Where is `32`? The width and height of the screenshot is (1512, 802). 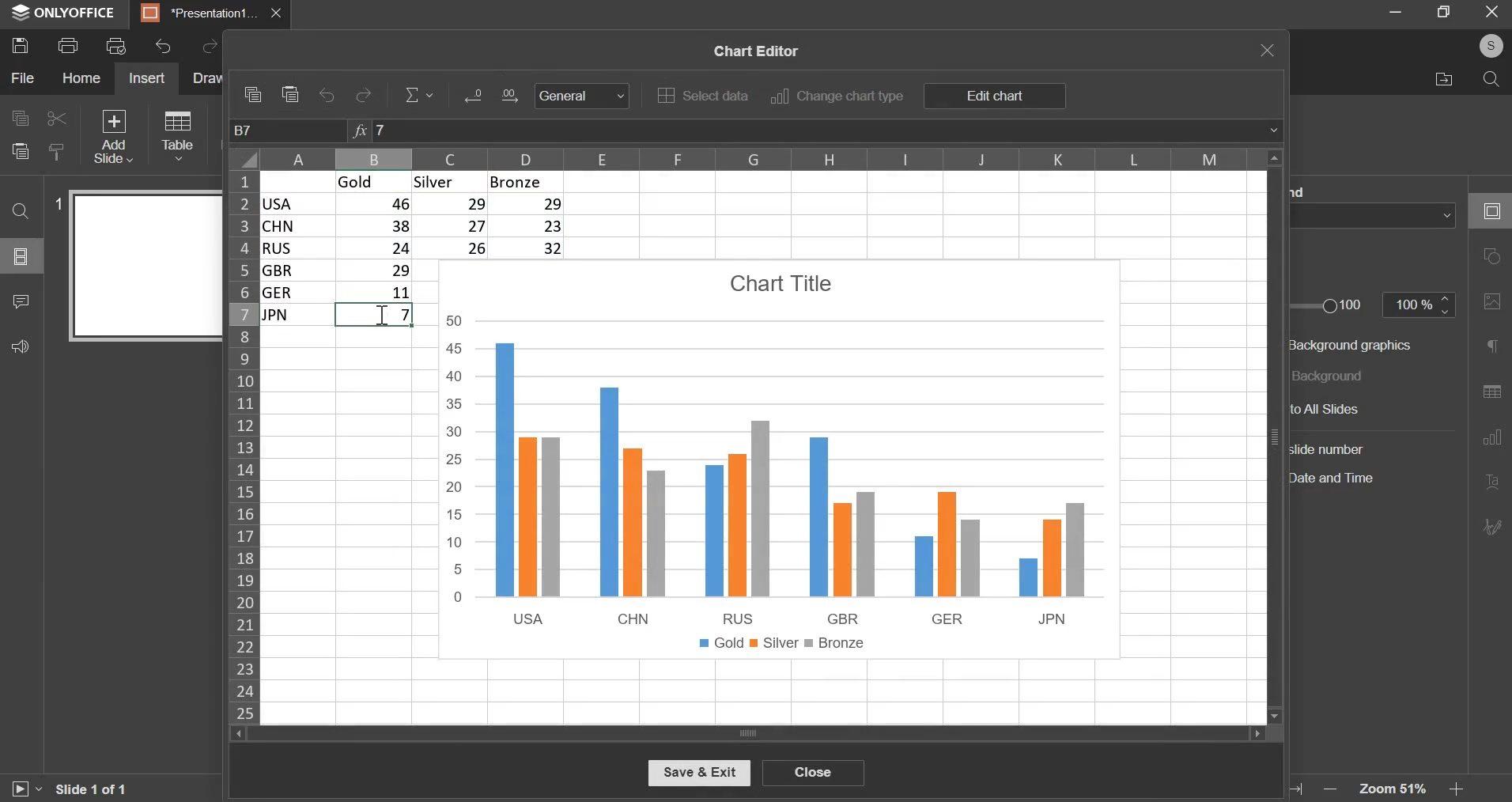
32 is located at coordinates (530, 247).